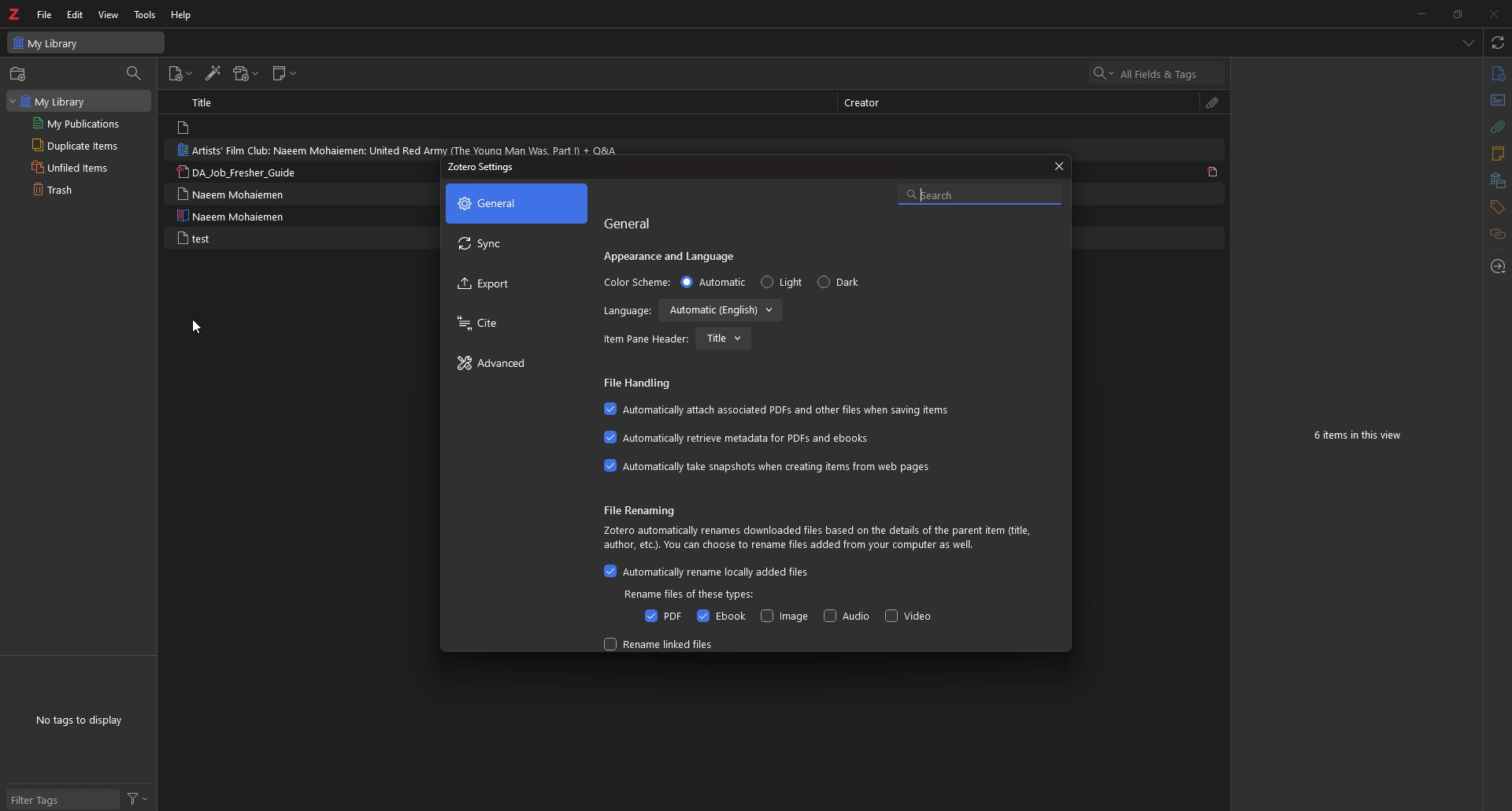  Describe the element at coordinates (1496, 101) in the screenshot. I see `abstract` at that location.